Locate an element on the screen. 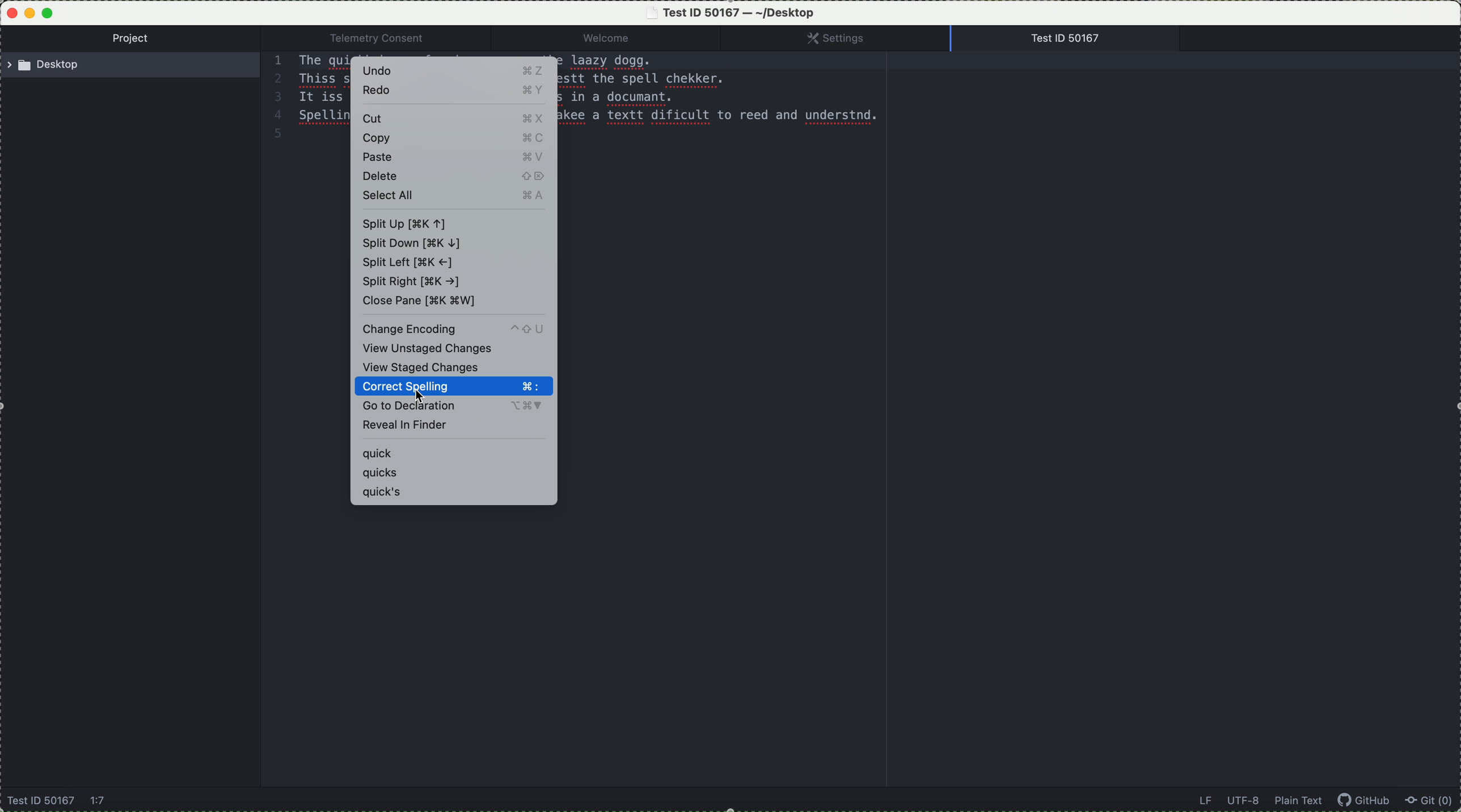 The height and width of the screenshot is (812, 1461). close pane is located at coordinates (419, 302).